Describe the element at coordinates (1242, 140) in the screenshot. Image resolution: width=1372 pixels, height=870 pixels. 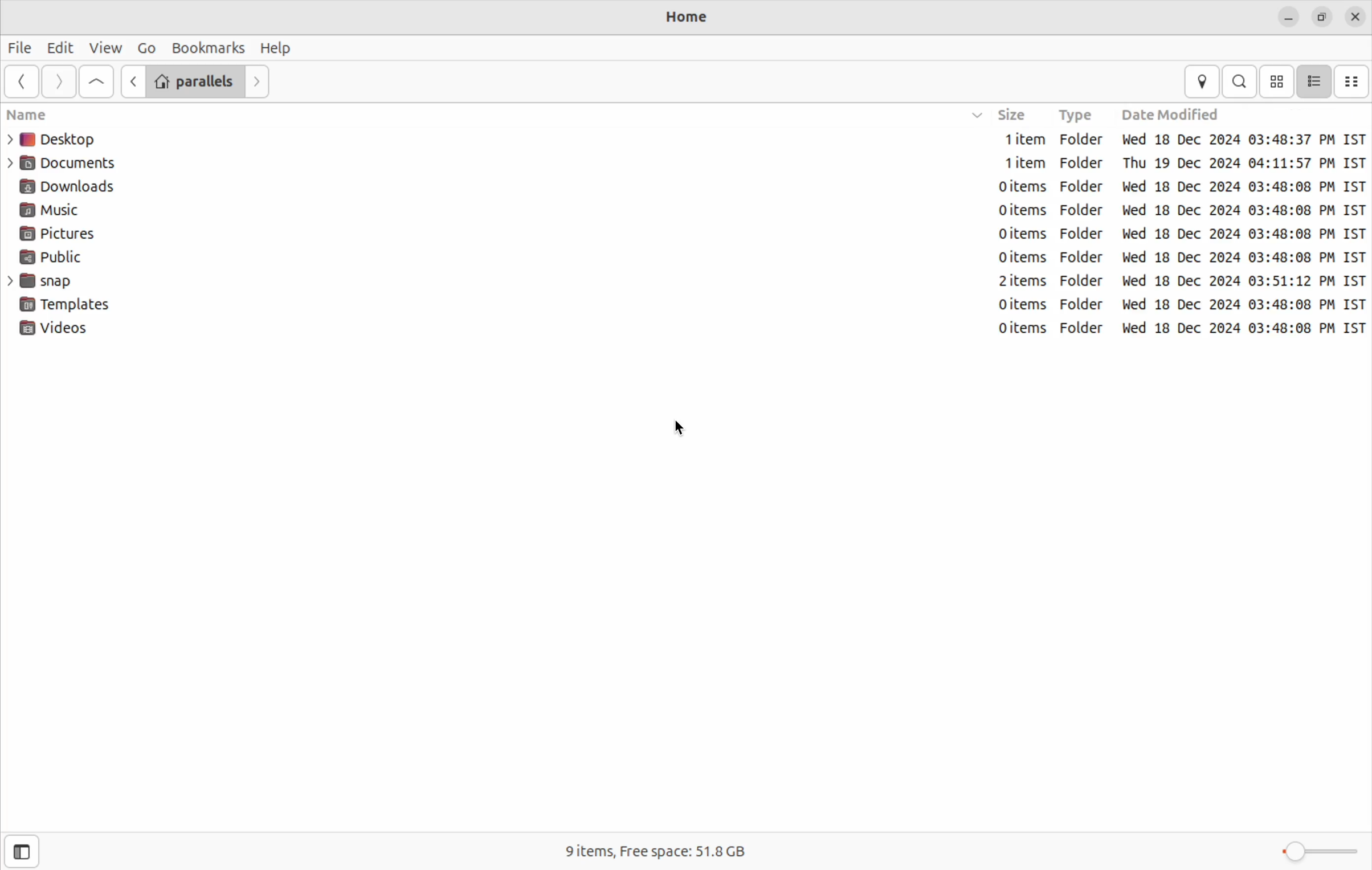
I see `Wed 18 Dec 2024 03:48:08 PM IST` at that location.